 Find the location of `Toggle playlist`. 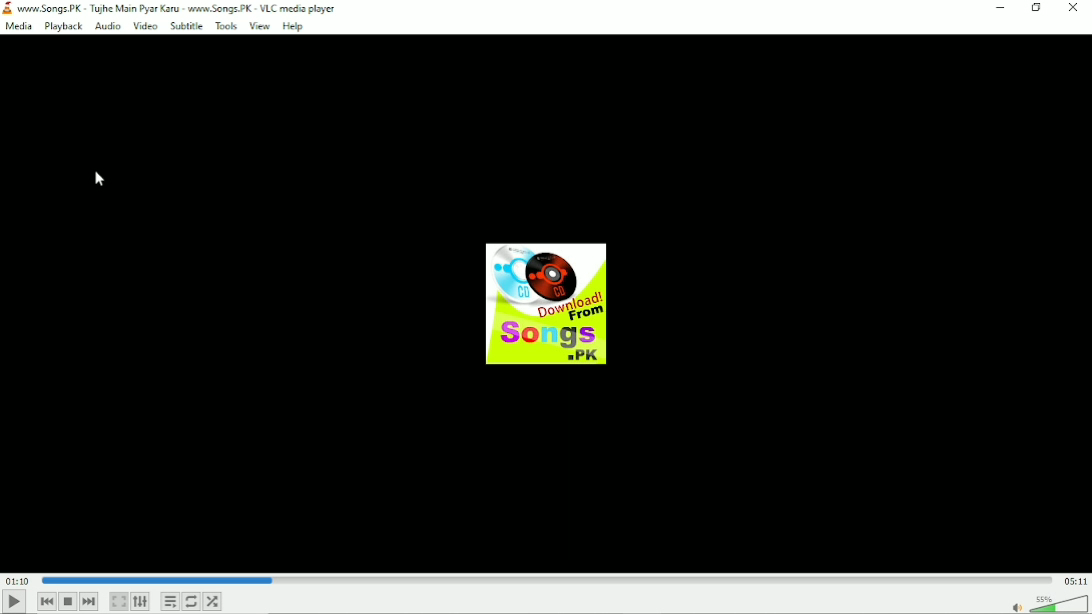

Toggle playlist is located at coordinates (170, 600).